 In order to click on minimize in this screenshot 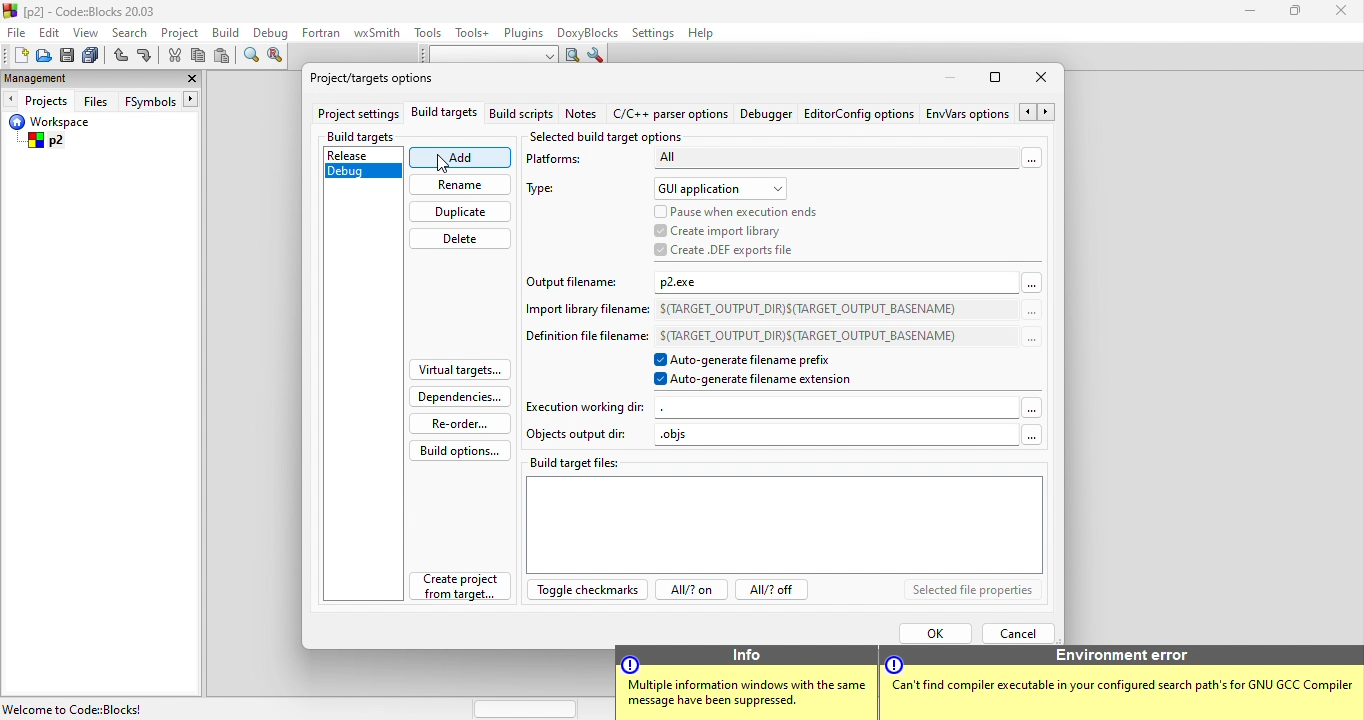, I will do `click(950, 78)`.